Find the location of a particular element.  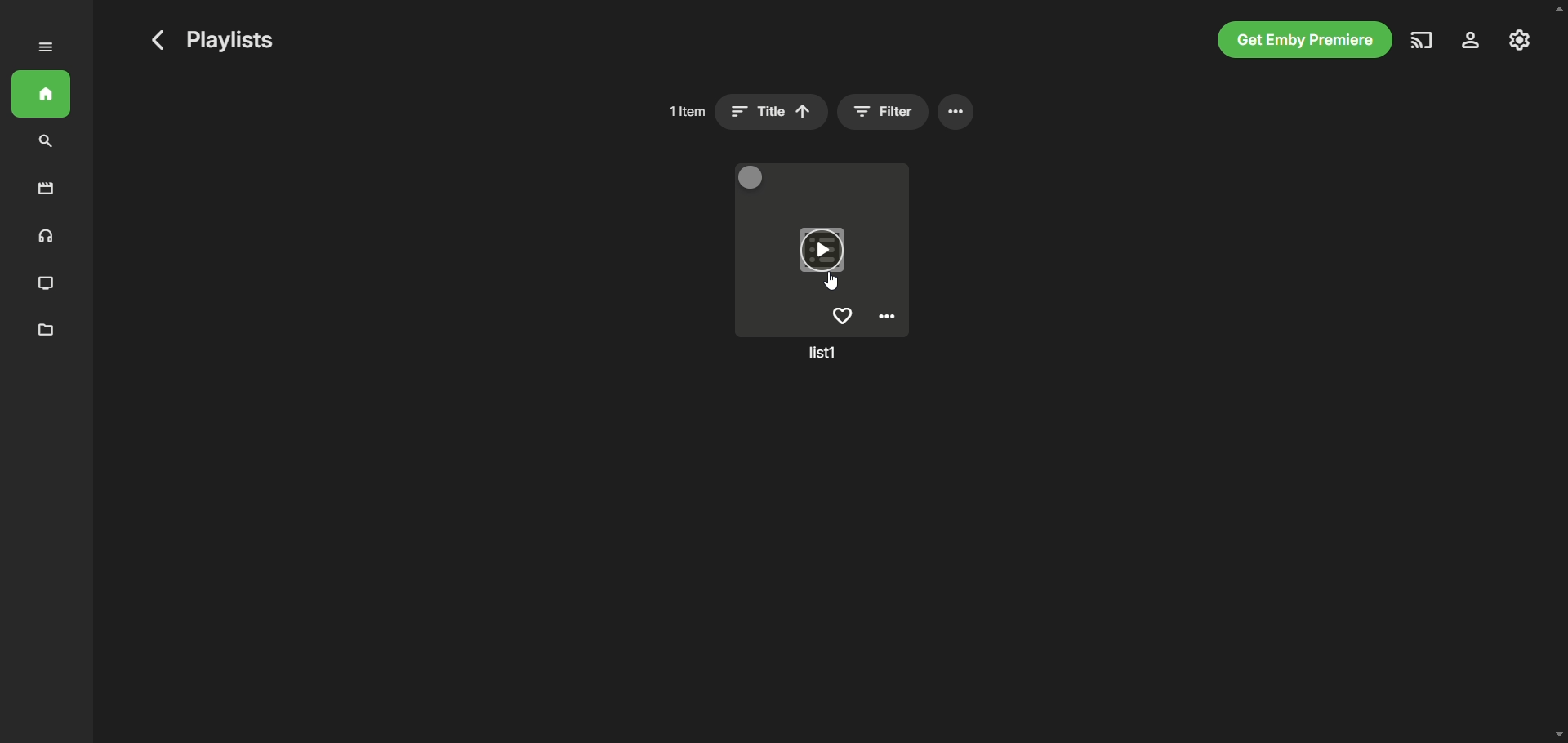

metadata manager is located at coordinates (47, 331).